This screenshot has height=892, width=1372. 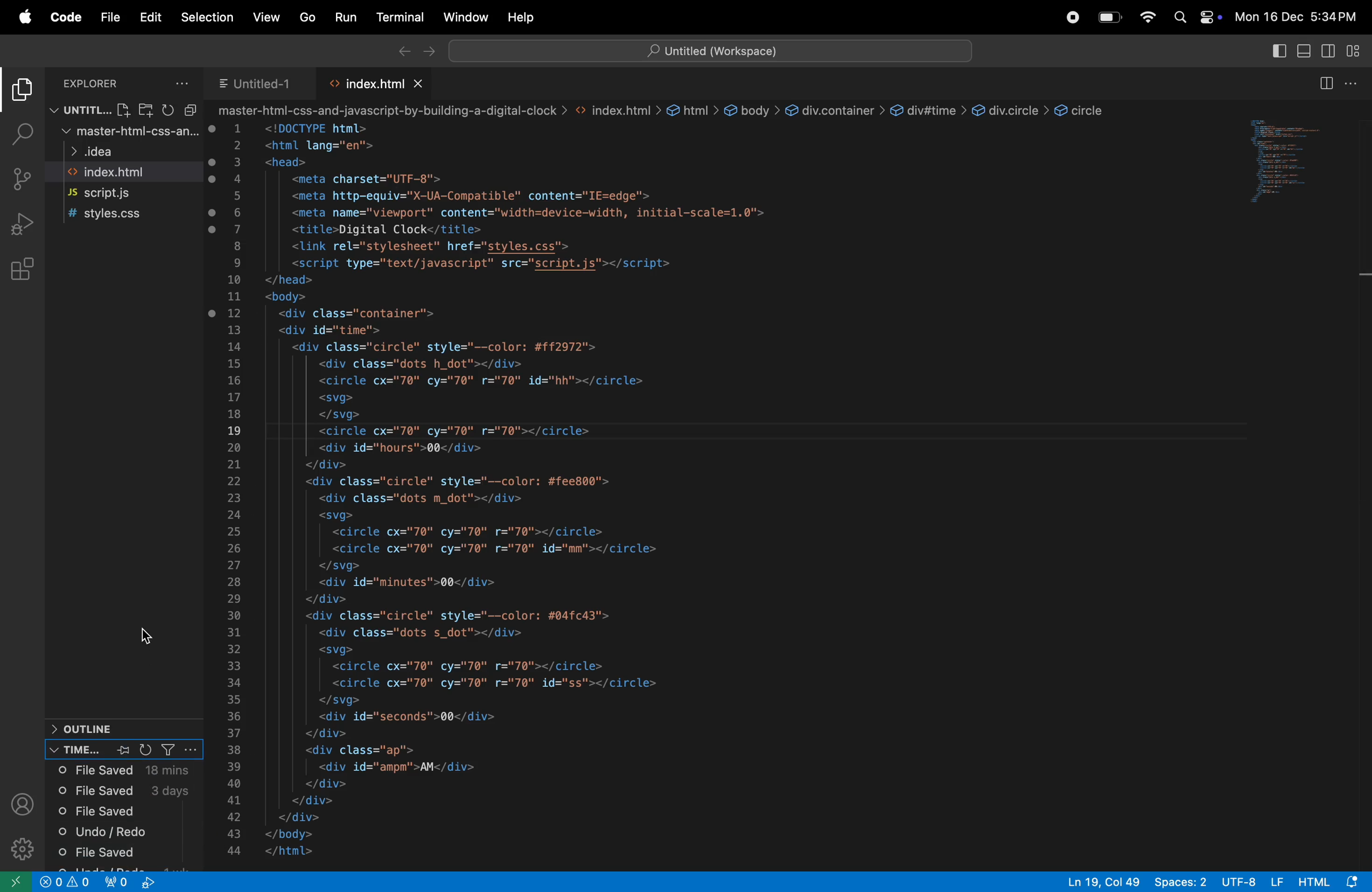 I want to click on eT ee e———————
<script type="text/javascript" src="script.js"></script>, so click(x=491, y=263).